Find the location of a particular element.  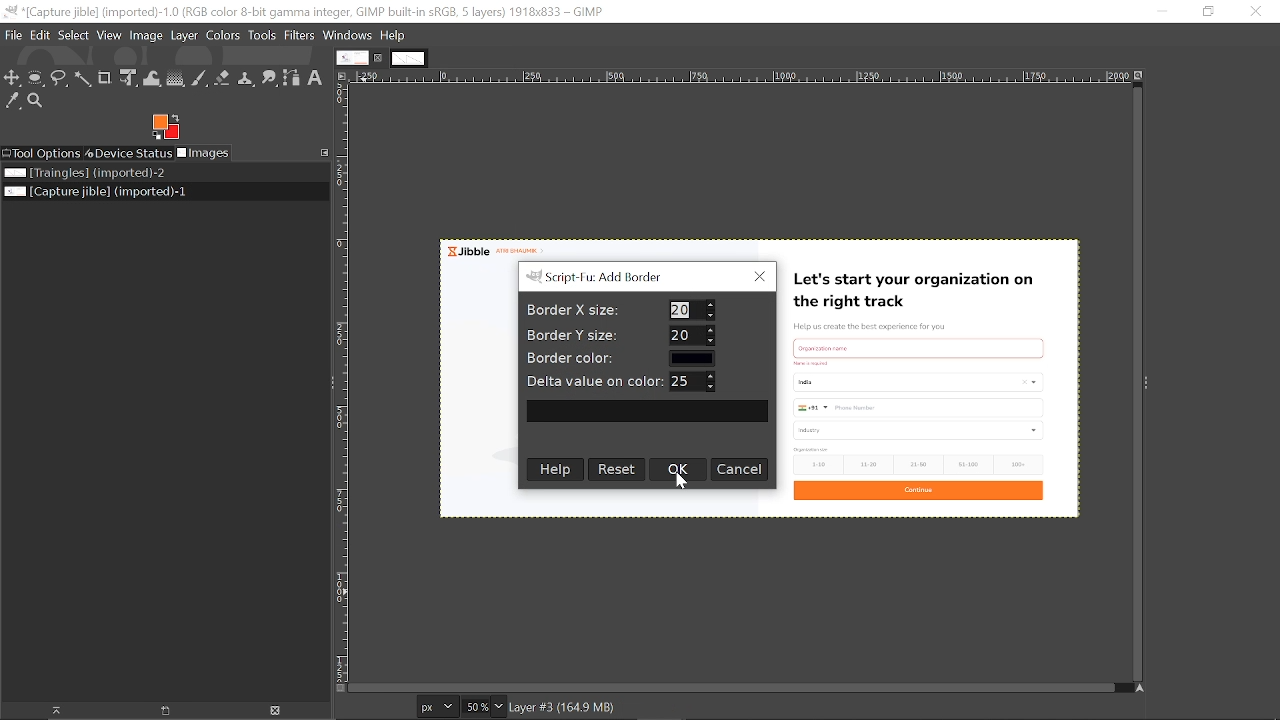

Foreground color is located at coordinates (165, 127).